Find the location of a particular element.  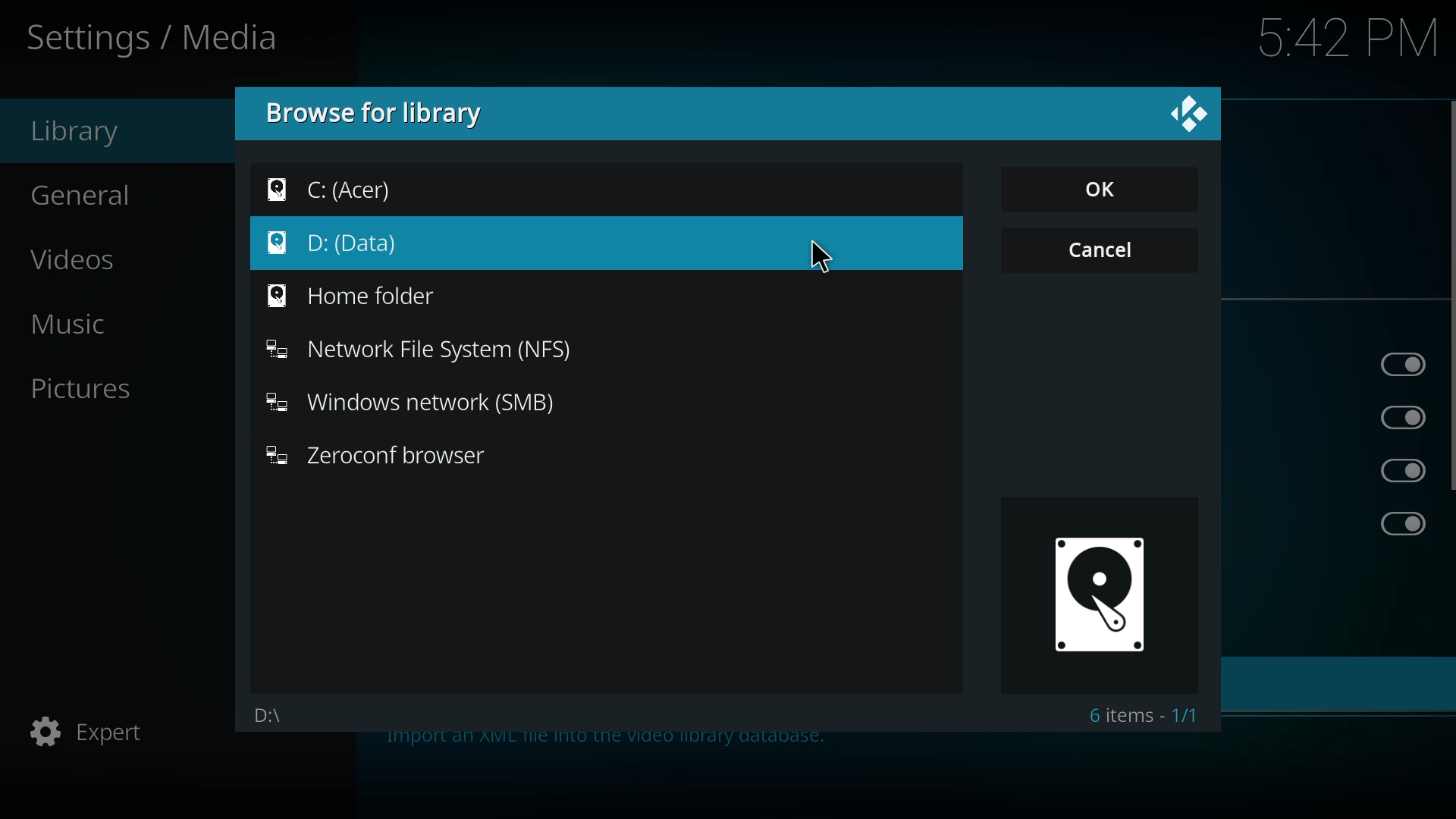

pictures is located at coordinates (97, 388).